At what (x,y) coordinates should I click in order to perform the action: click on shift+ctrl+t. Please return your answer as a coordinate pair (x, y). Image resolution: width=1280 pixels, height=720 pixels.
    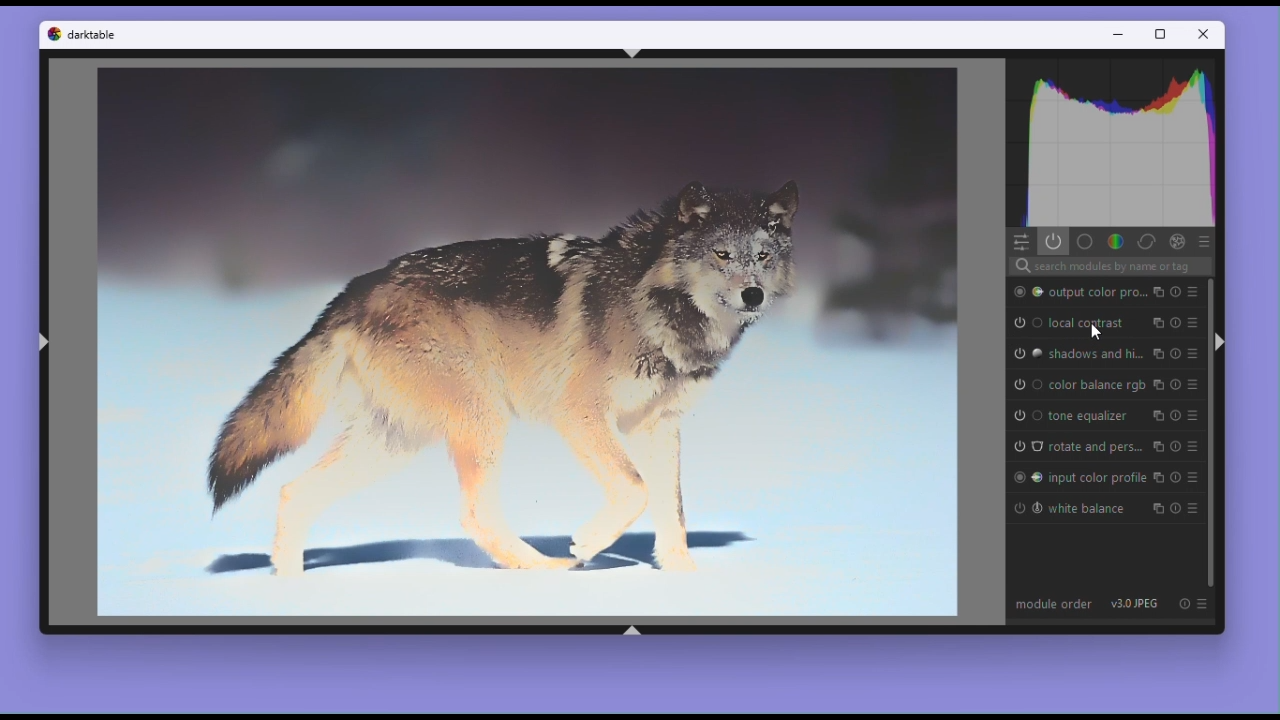
    Looking at the image, I should click on (634, 54).